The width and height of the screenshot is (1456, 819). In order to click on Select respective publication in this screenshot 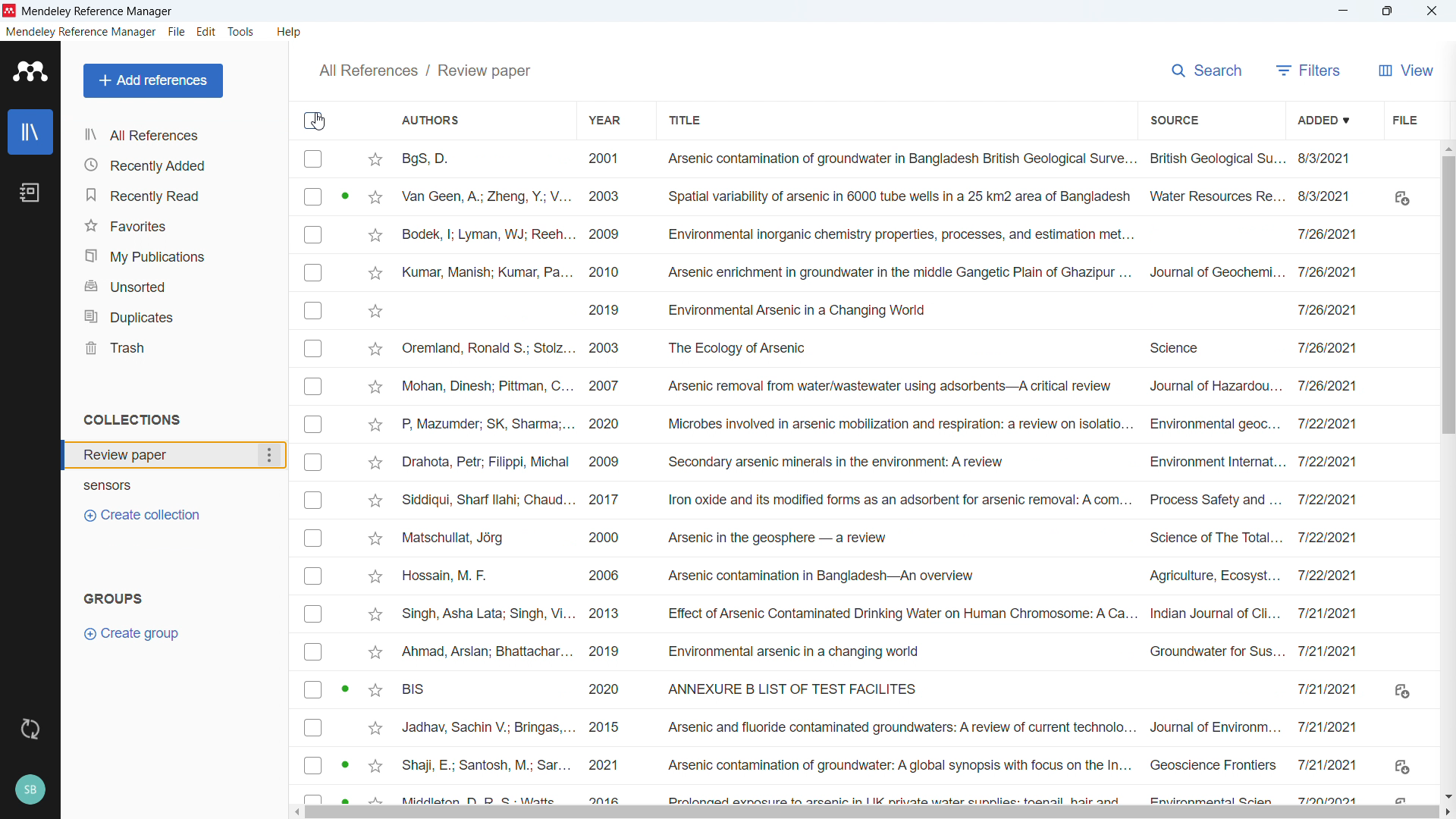, I will do `click(313, 690)`.